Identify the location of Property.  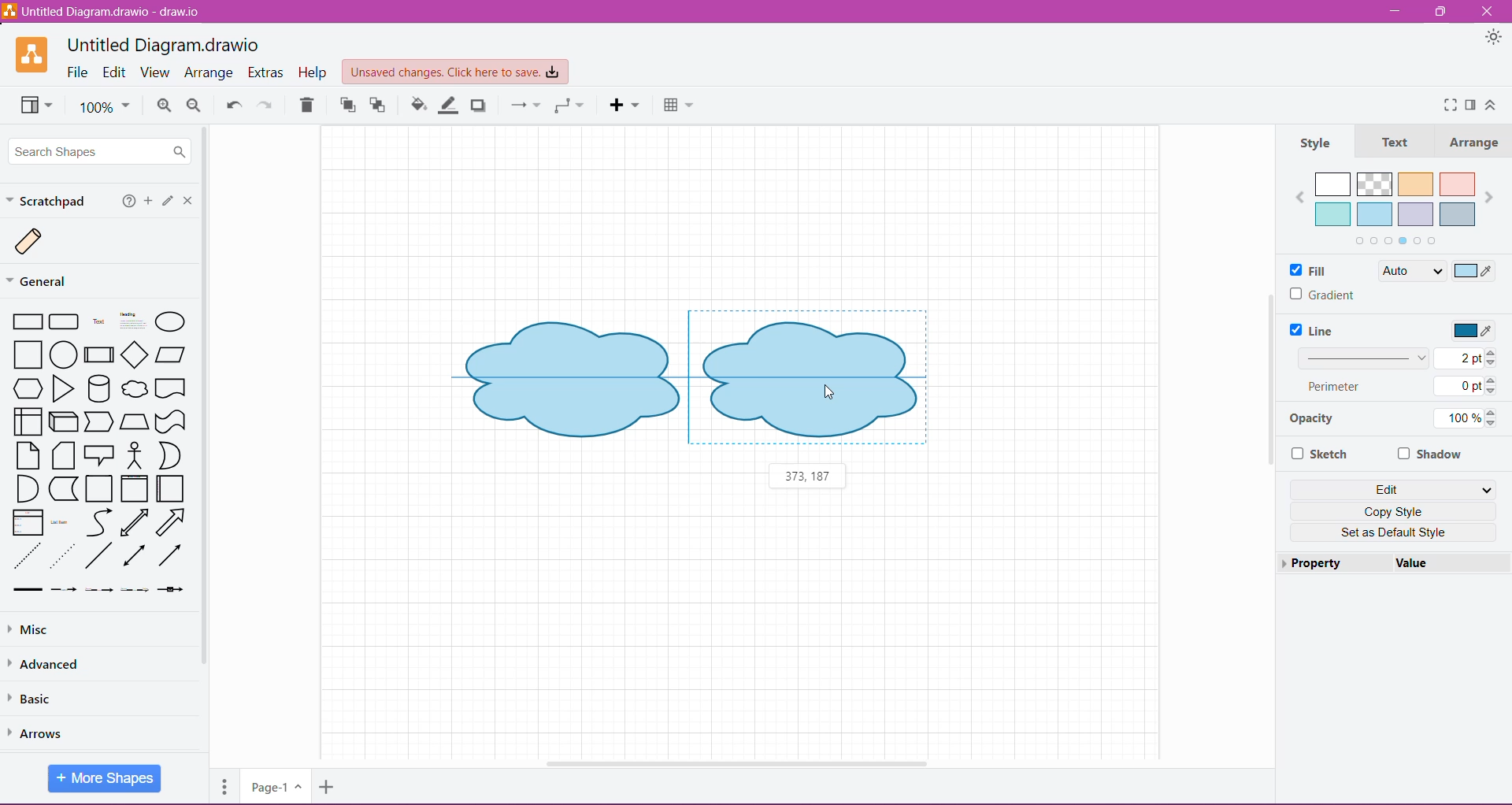
(1332, 562).